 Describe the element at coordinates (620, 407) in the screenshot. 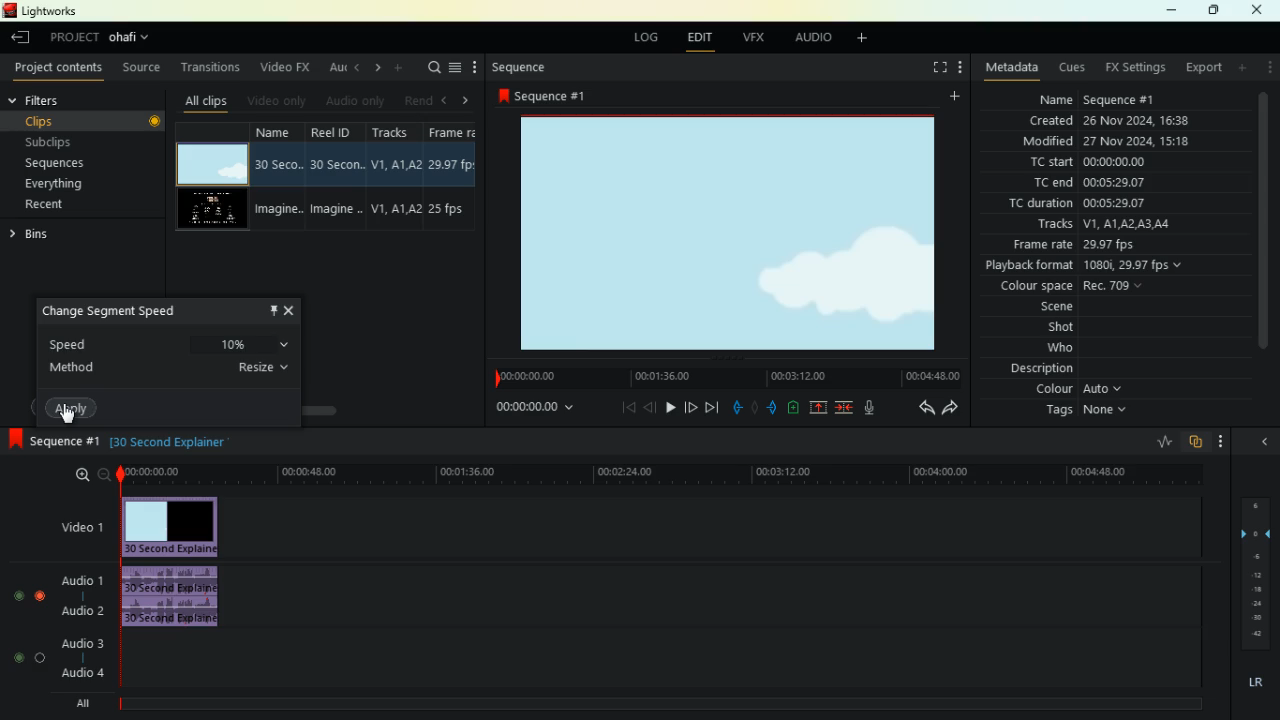

I see `beggining` at that location.